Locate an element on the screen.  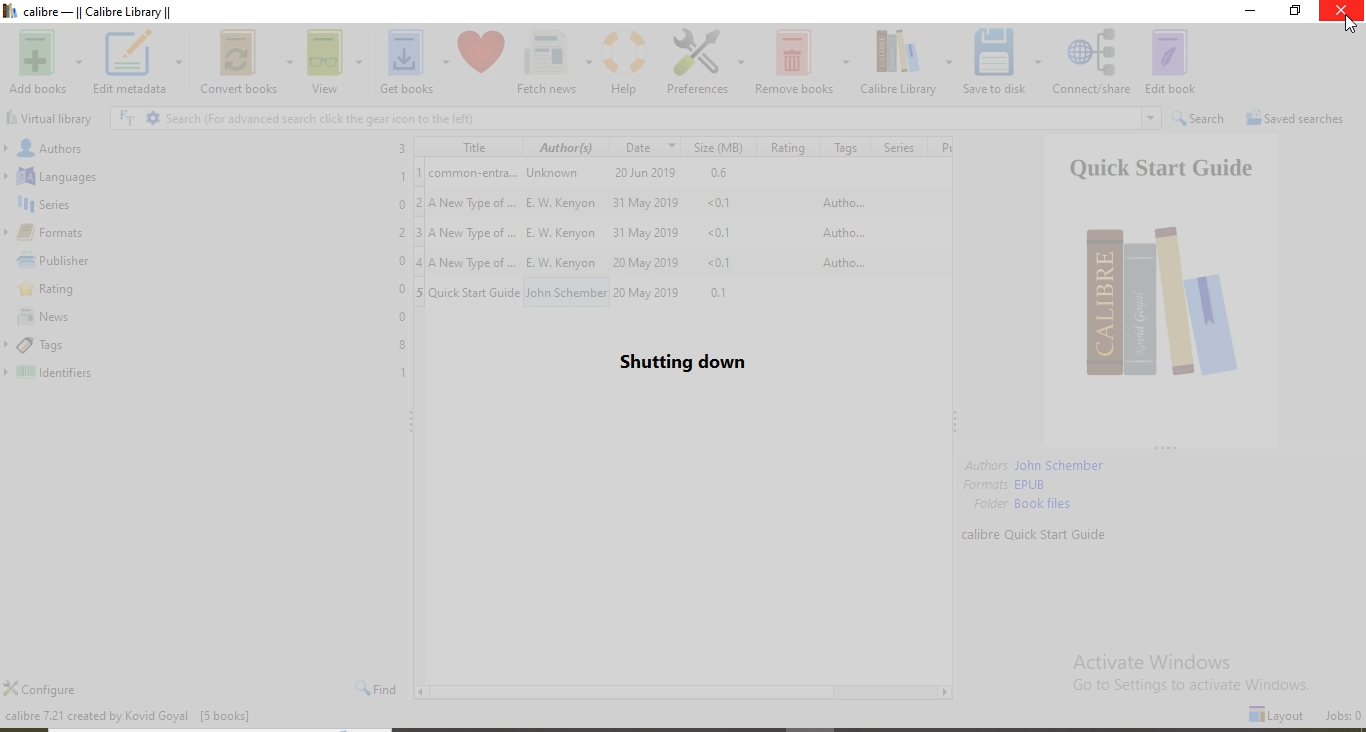
search is located at coordinates (638, 118).